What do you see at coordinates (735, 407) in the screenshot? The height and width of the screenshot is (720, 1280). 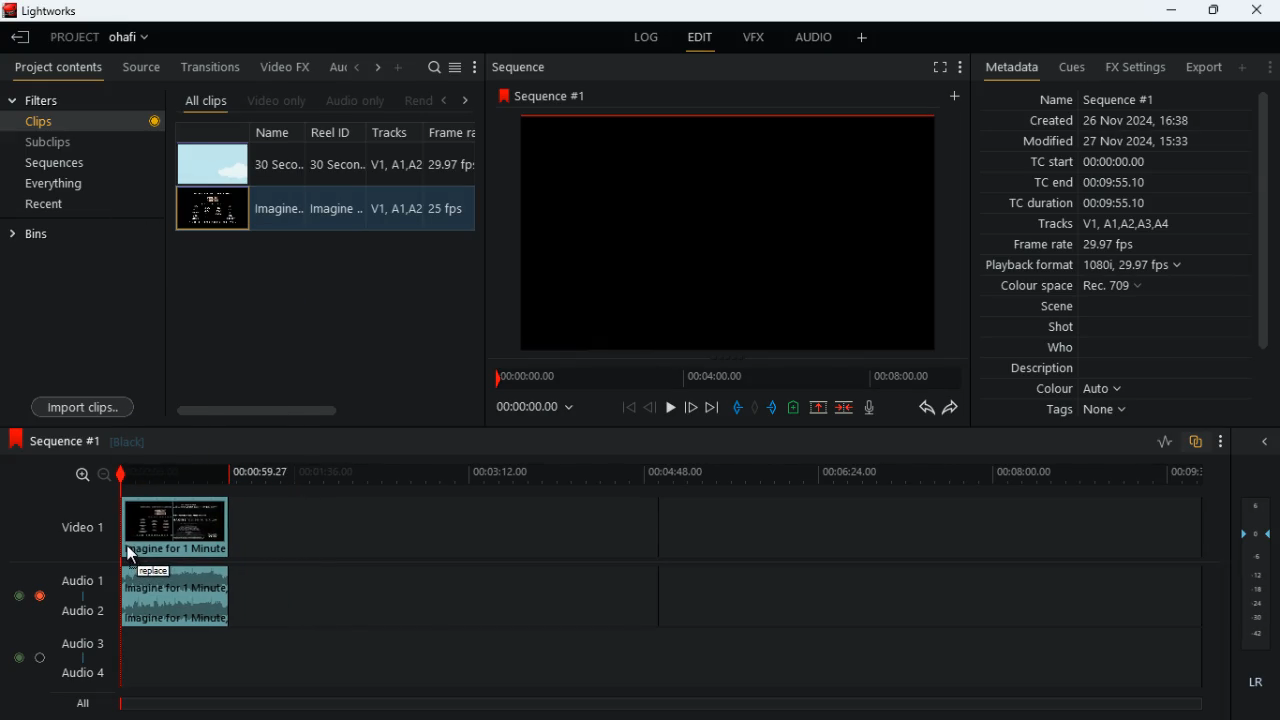 I see `pull` at bounding box center [735, 407].